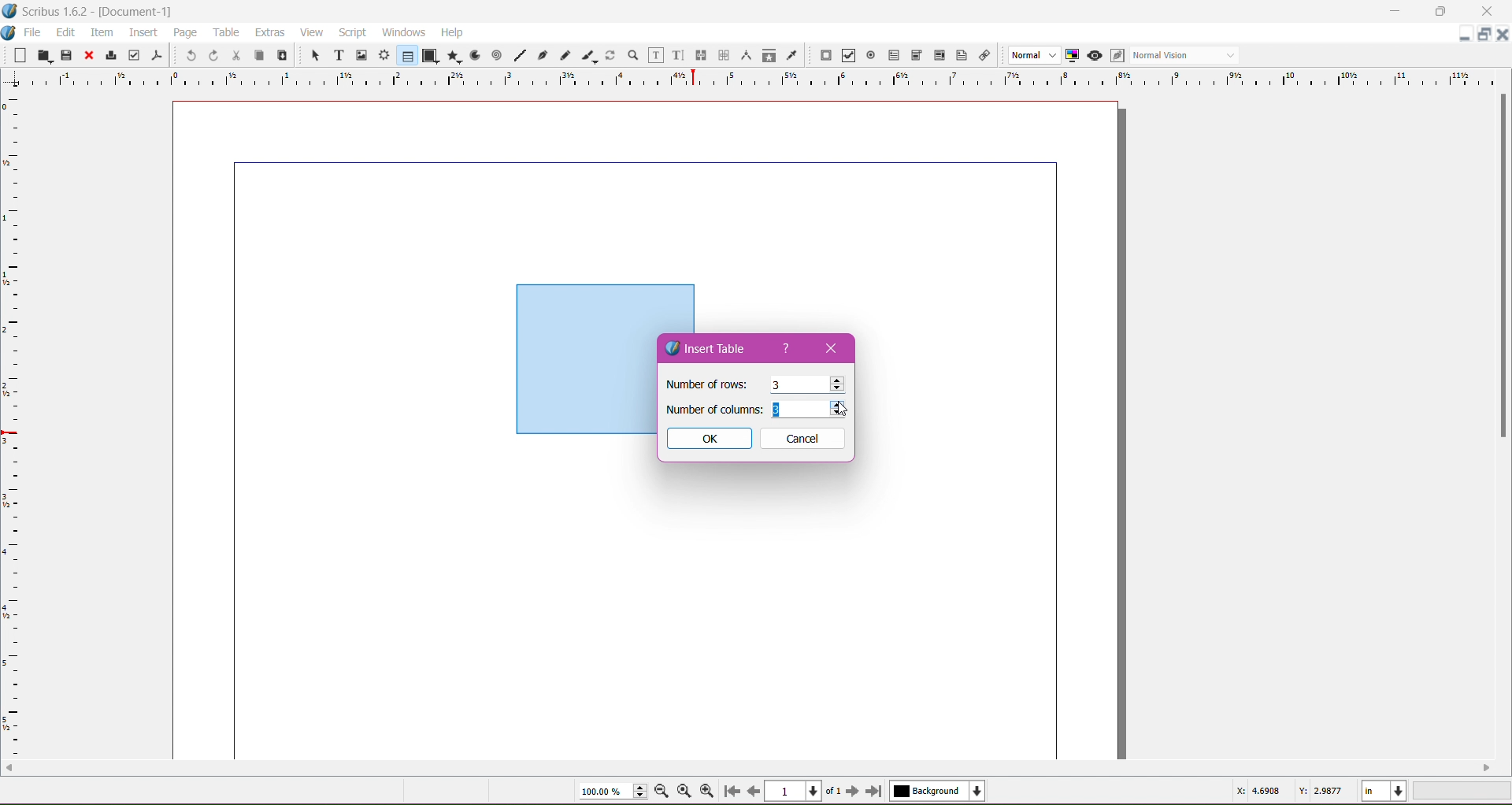  I want to click on New, so click(22, 54).